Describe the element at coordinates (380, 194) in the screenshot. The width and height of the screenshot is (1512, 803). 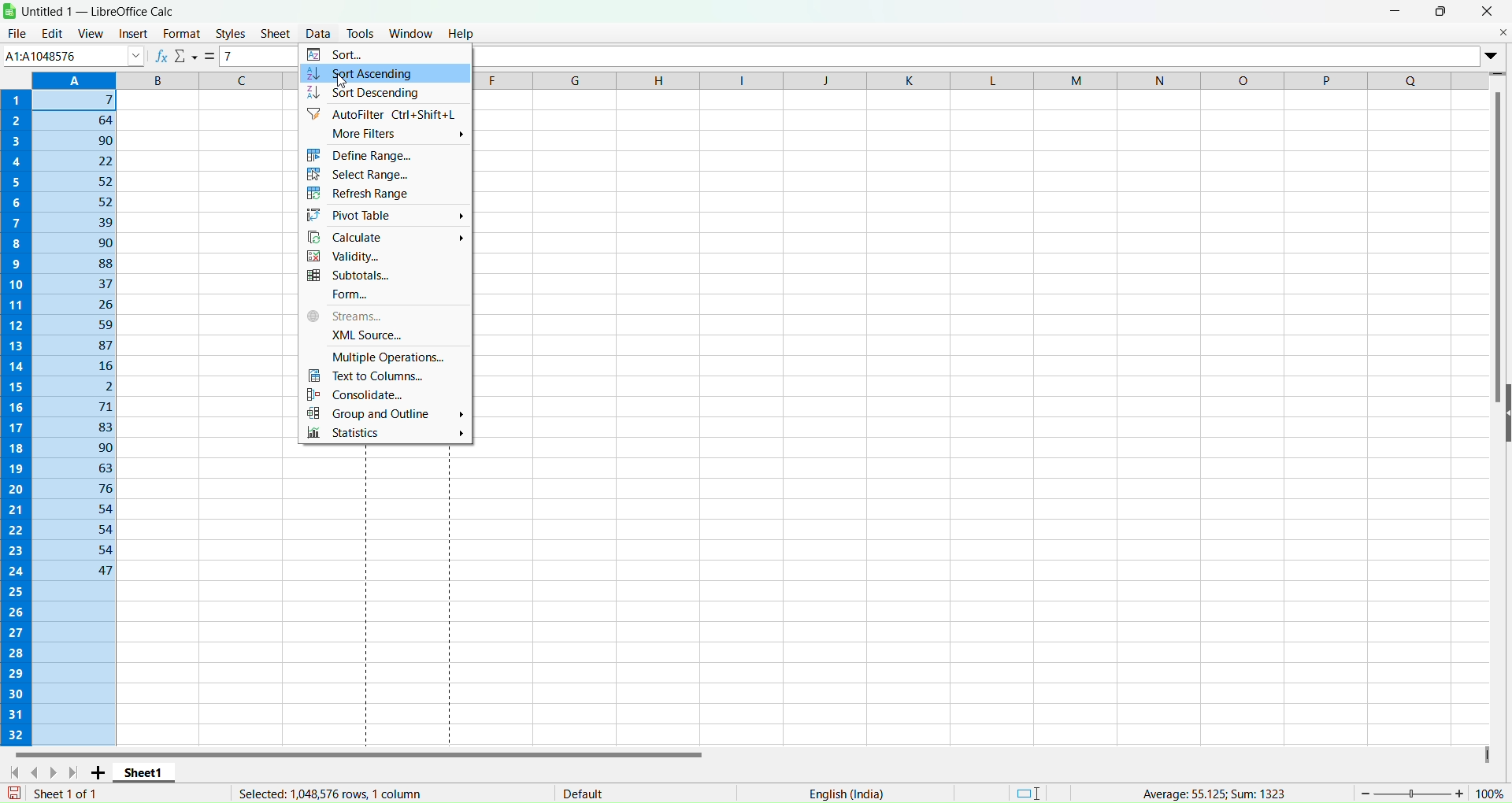
I see `Refresh Range` at that location.